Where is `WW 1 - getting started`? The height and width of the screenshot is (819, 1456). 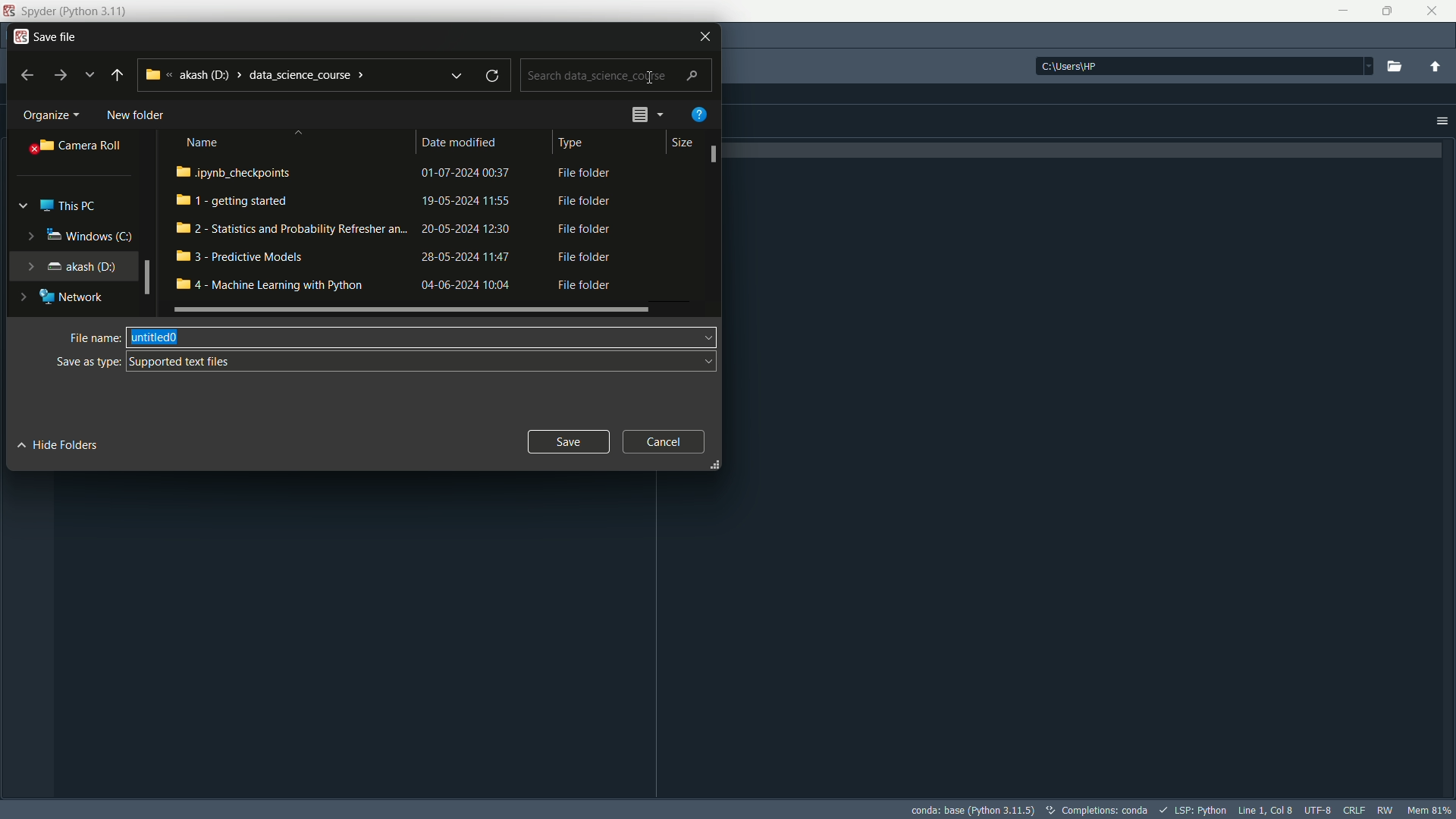
WW 1 - getting started is located at coordinates (240, 201).